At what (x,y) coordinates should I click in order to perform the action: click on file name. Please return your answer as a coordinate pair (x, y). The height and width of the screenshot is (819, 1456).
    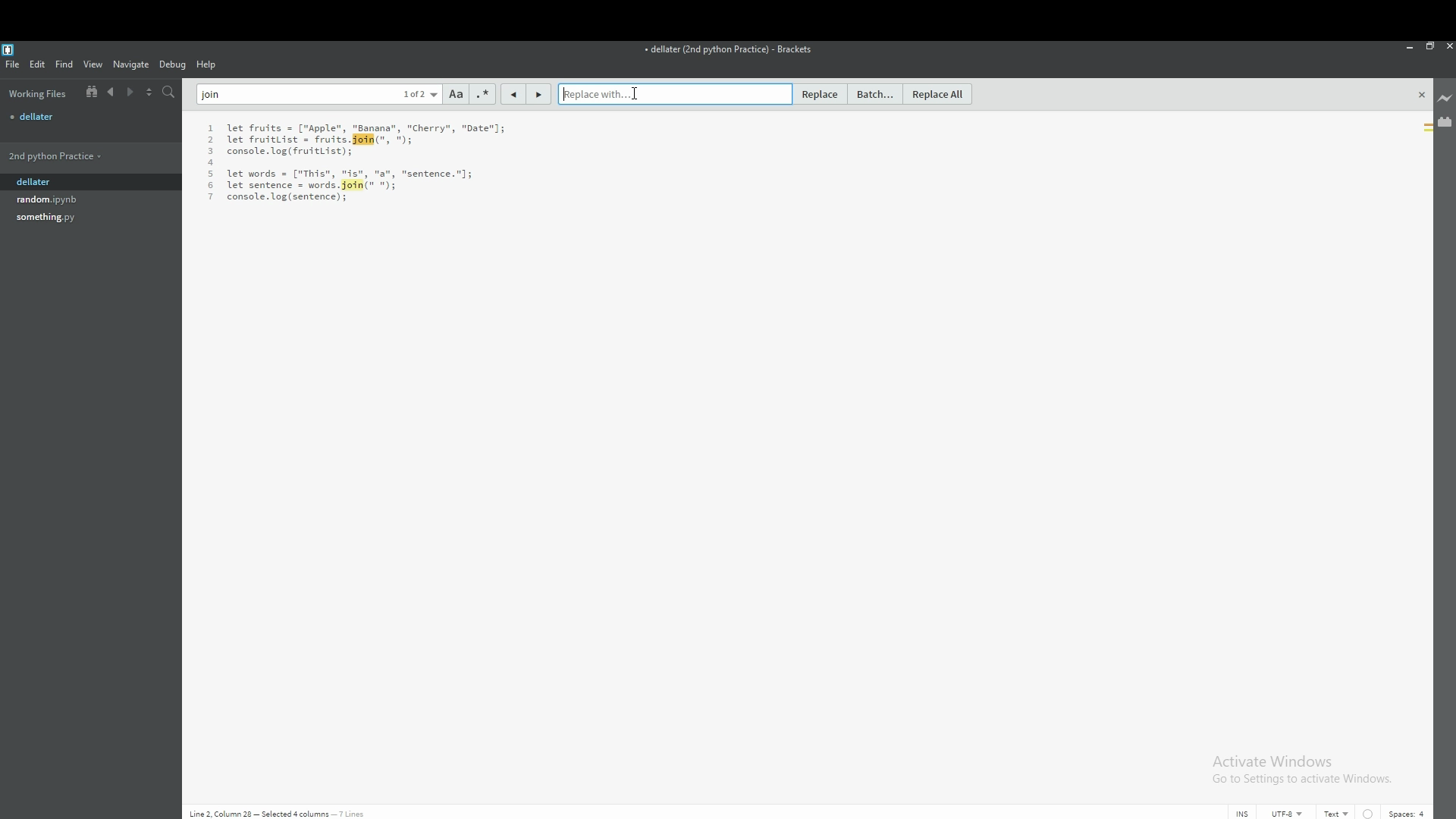
    Looking at the image, I should click on (728, 51).